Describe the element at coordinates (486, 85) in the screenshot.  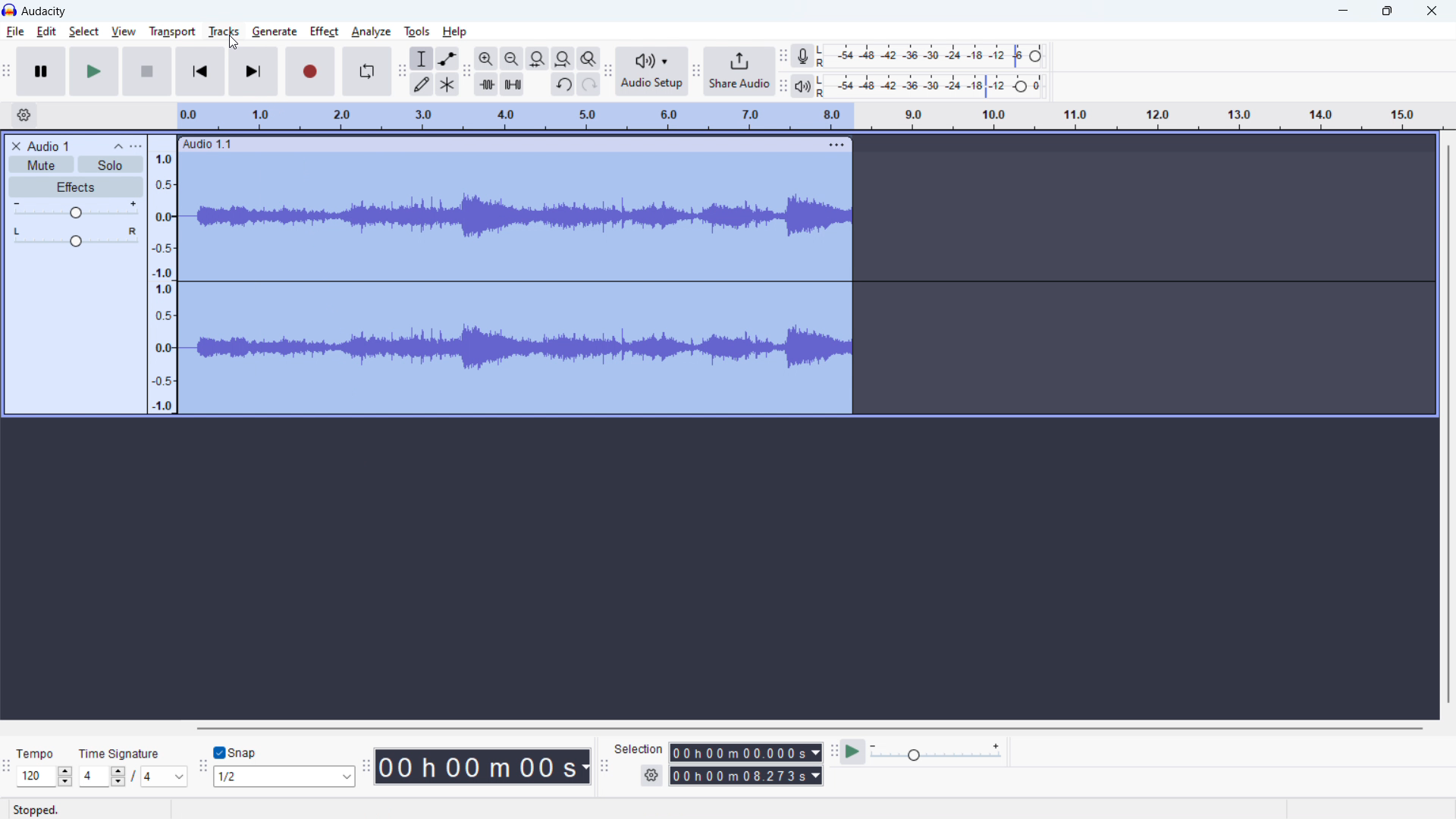
I see `trim audio outside selection` at that location.